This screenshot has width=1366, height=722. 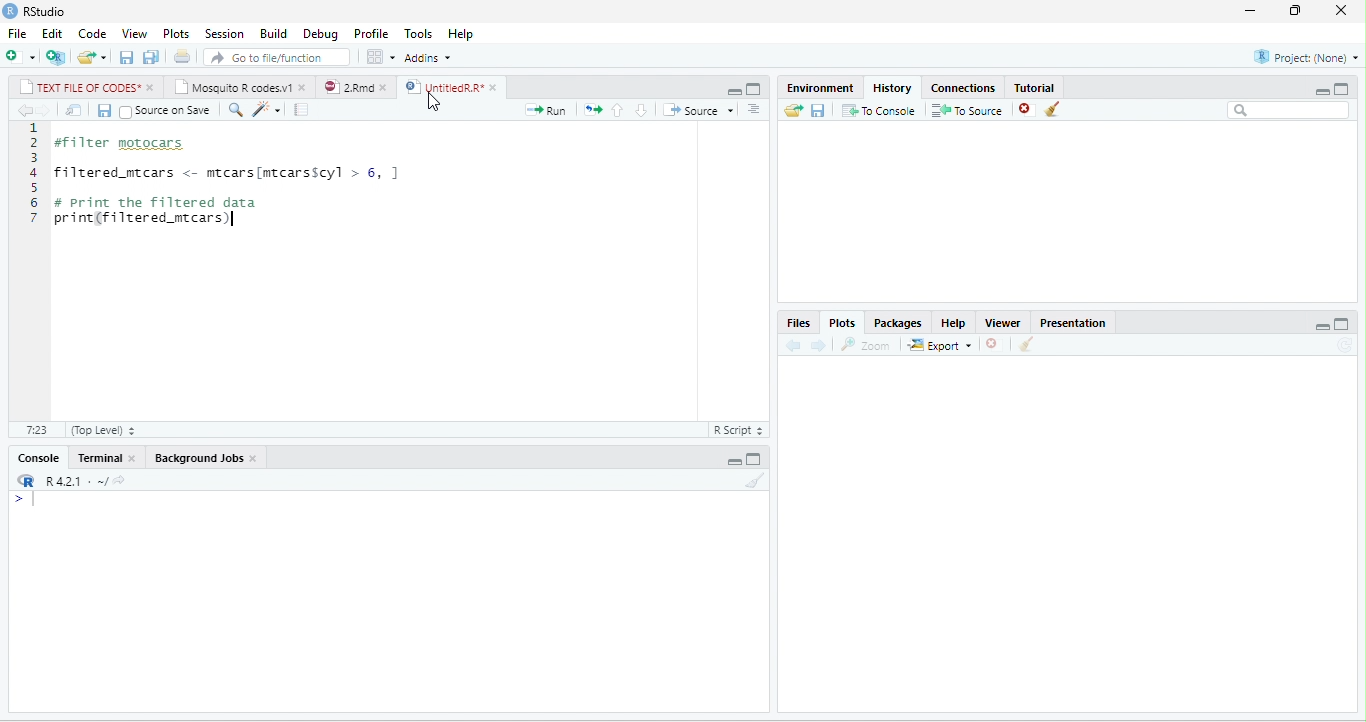 I want to click on forward, so click(x=44, y=110).